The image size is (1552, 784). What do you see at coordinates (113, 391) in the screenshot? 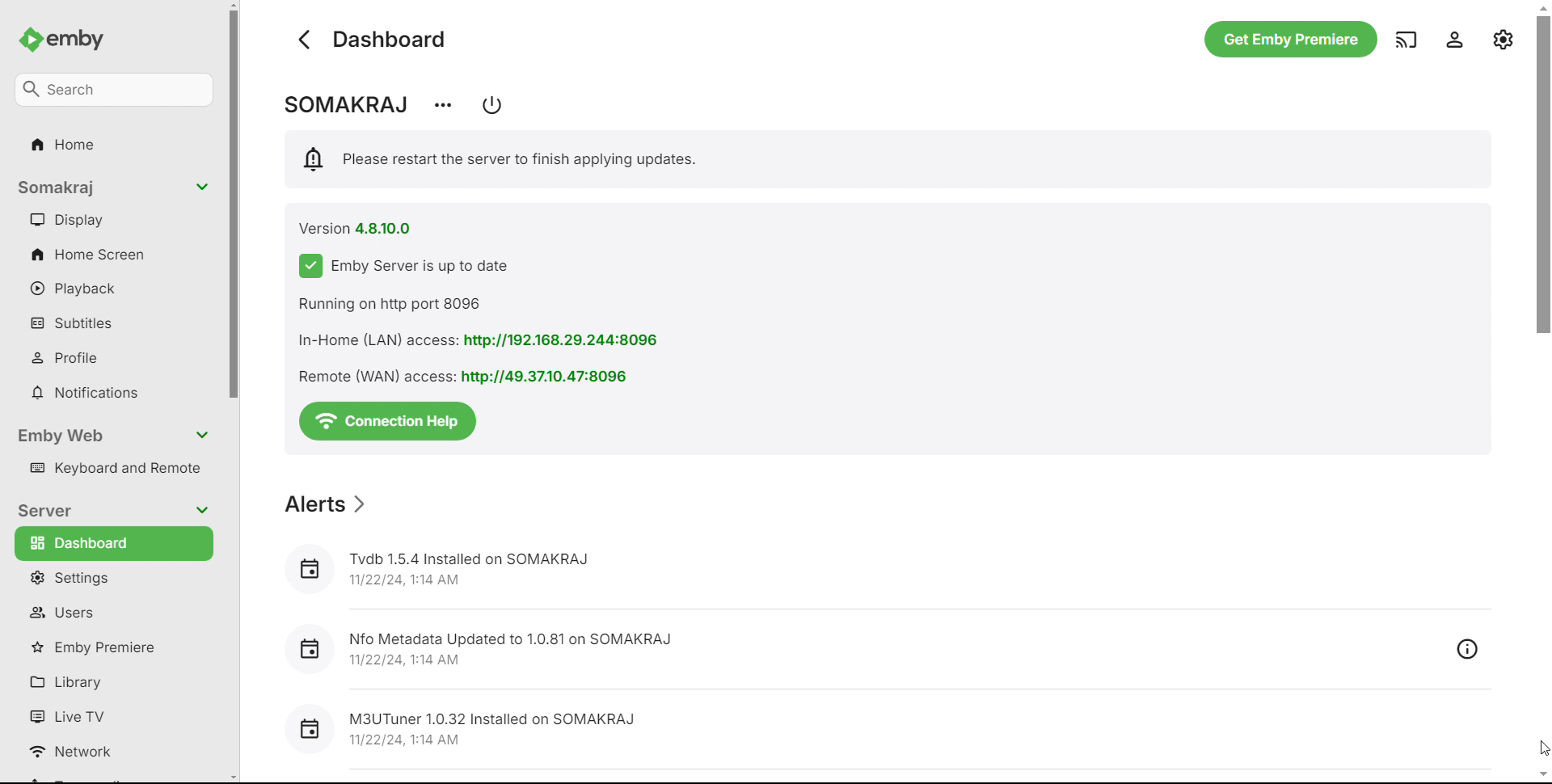
I see `notifications` at bounding box center [113, 391].